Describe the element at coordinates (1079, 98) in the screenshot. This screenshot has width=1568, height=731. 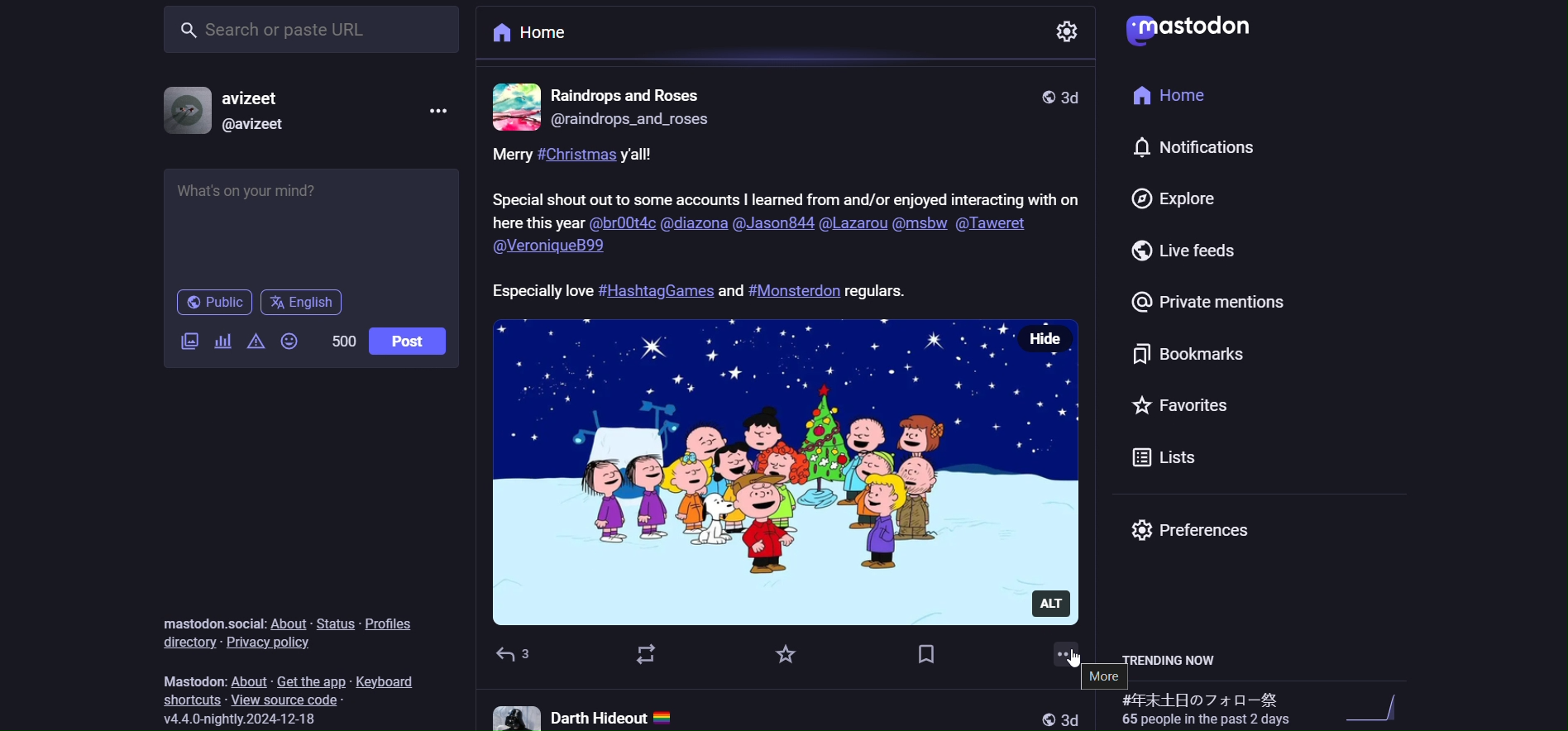
I see `last modified` at that location.